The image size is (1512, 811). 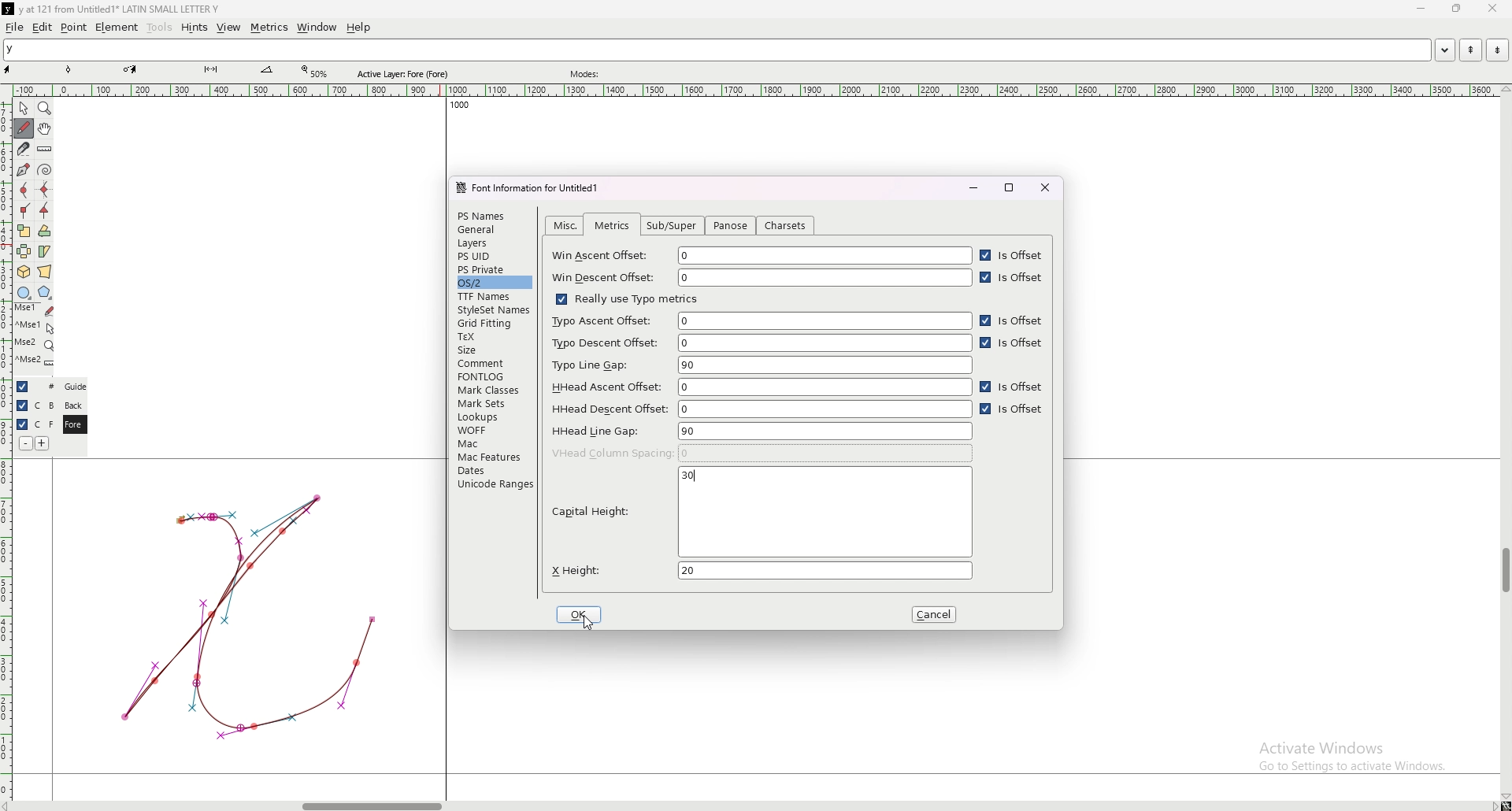 What do you see at coordinates (24, 128) in the screenshot?
I see `draw freehand` at bounding box center [24, 128].